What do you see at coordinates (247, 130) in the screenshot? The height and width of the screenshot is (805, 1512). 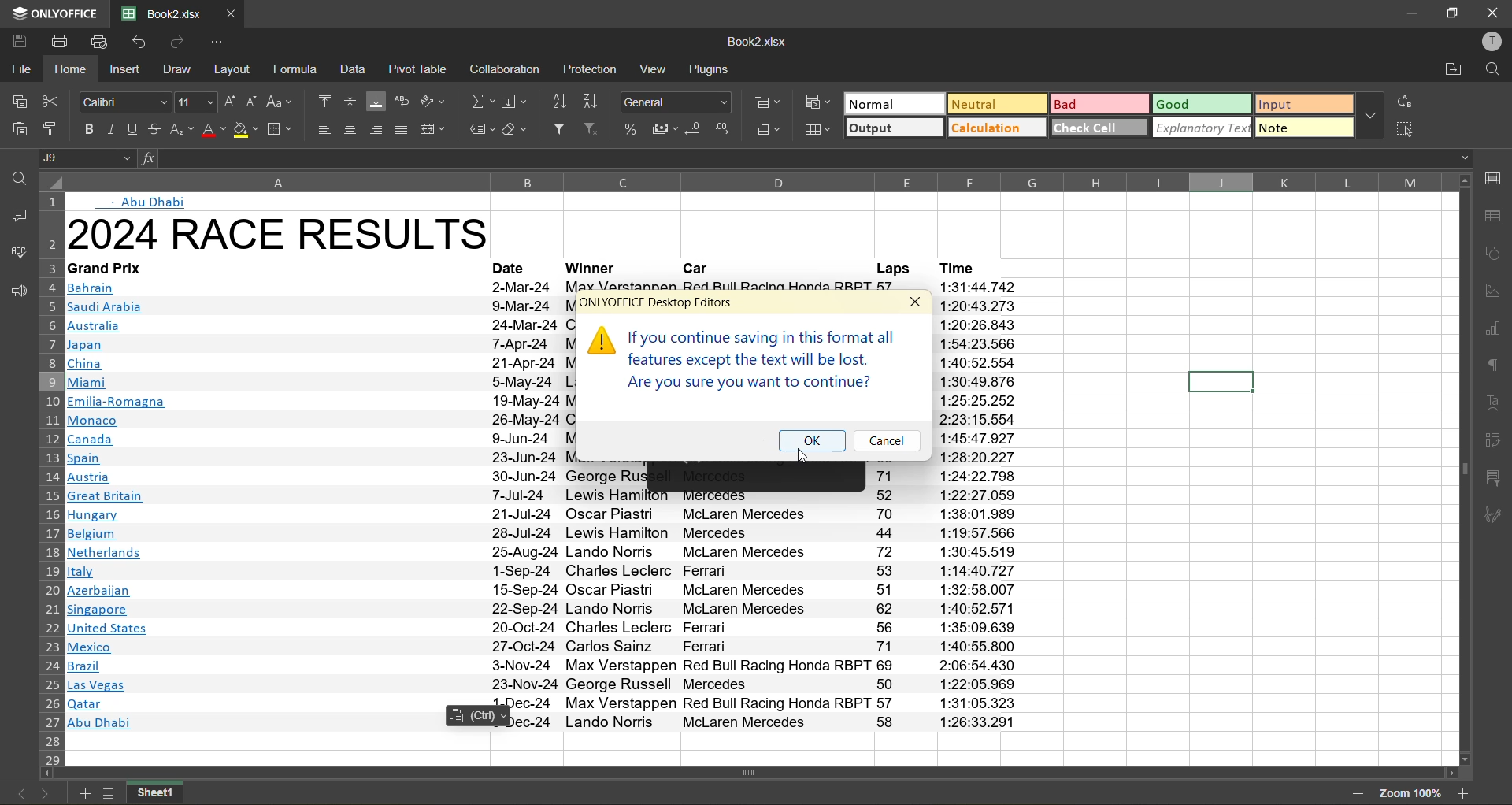 I see `fill color` at bounding box center [247, 130].